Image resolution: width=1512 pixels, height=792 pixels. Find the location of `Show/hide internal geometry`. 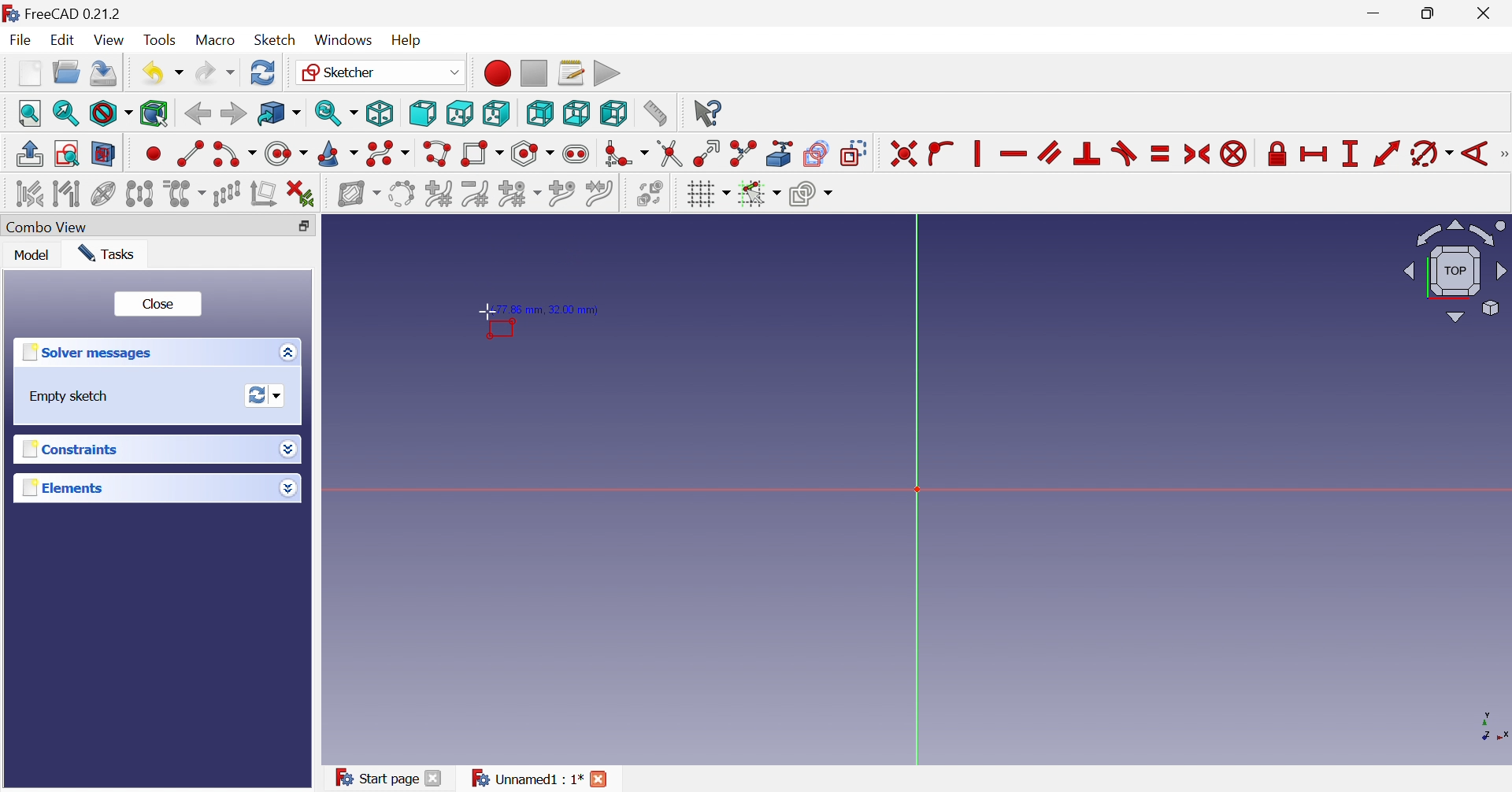

Show/hide internal geometry is located at coordinates (102, 195).